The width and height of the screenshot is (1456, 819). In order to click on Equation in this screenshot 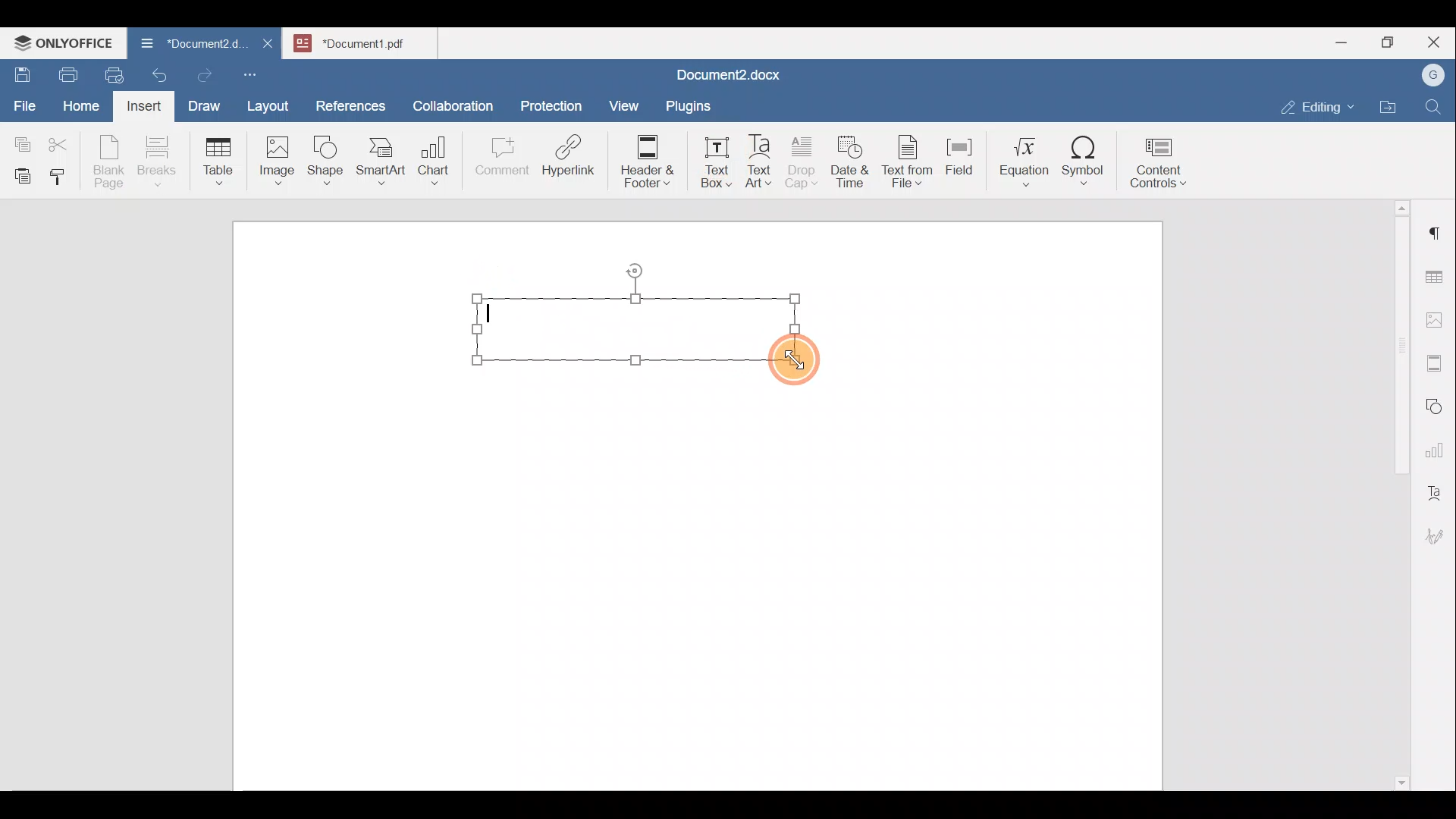, I will do `click(1028, 161)`.